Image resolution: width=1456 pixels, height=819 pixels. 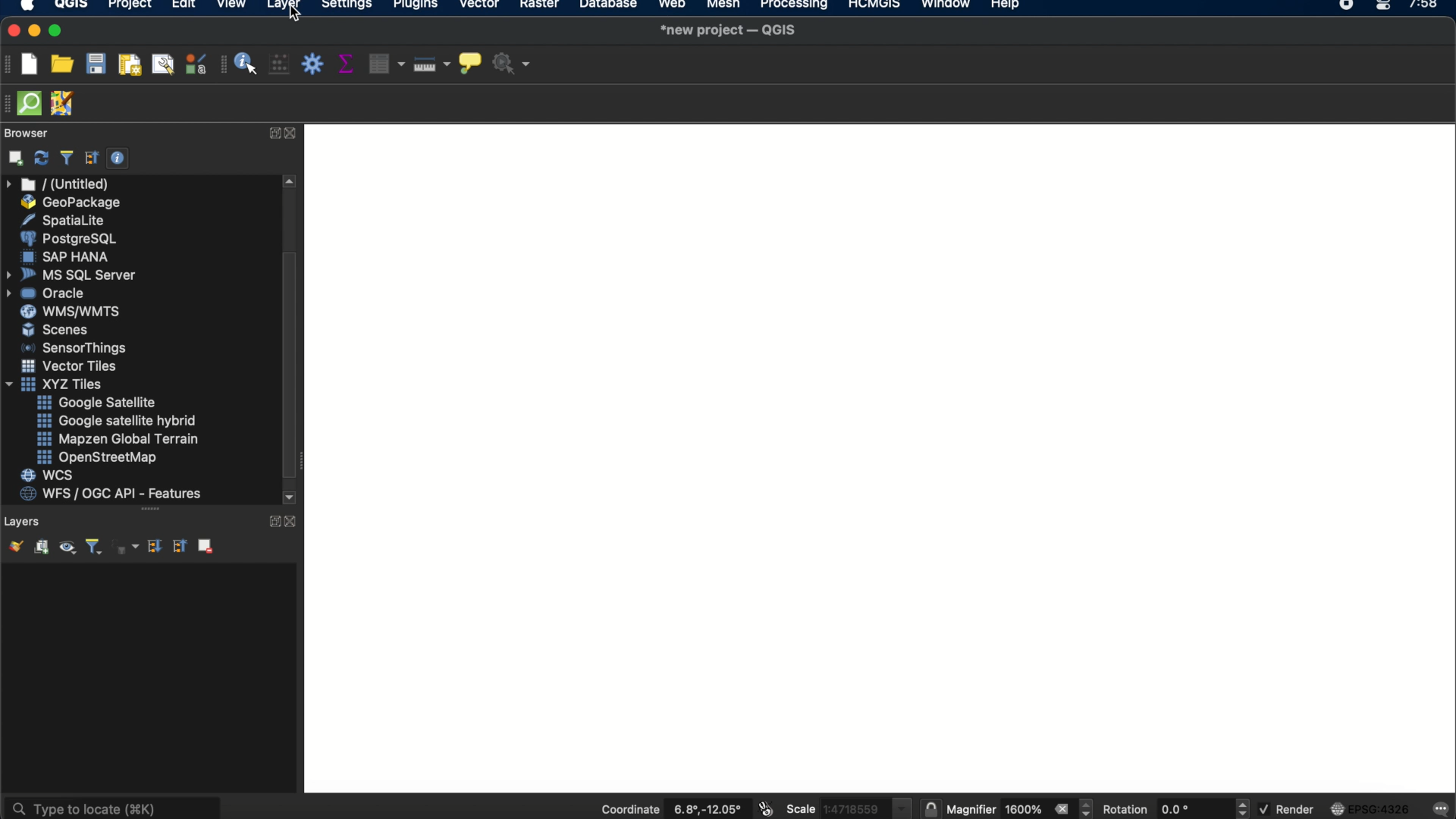 I want to click on untitled, so click(x=59, y=184).